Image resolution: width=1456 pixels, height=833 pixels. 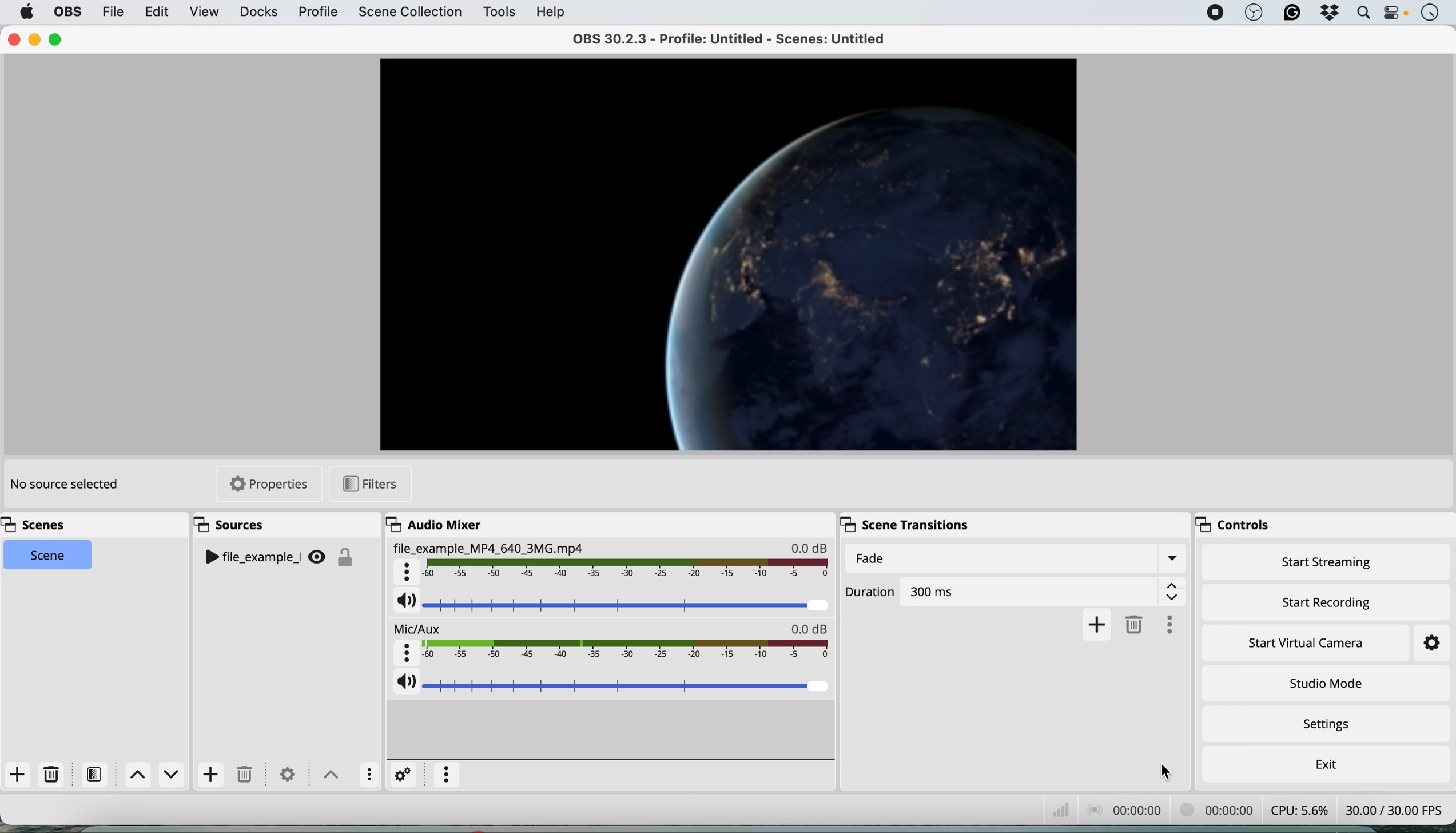 I want to click on scene, so click(x=49, y=556).